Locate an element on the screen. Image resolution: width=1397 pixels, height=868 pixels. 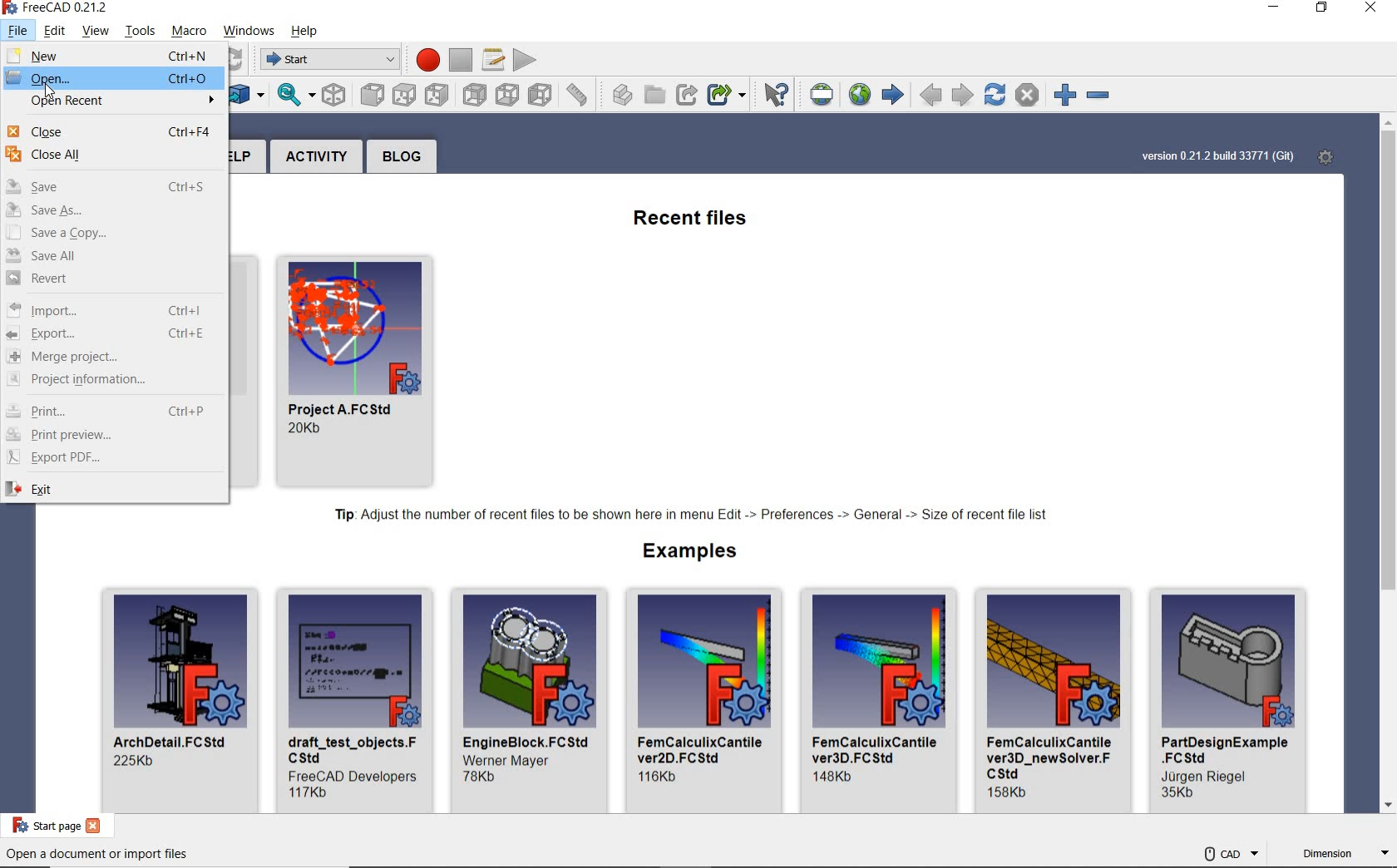
ISOMETRIC is located at coordinates (335, 94).